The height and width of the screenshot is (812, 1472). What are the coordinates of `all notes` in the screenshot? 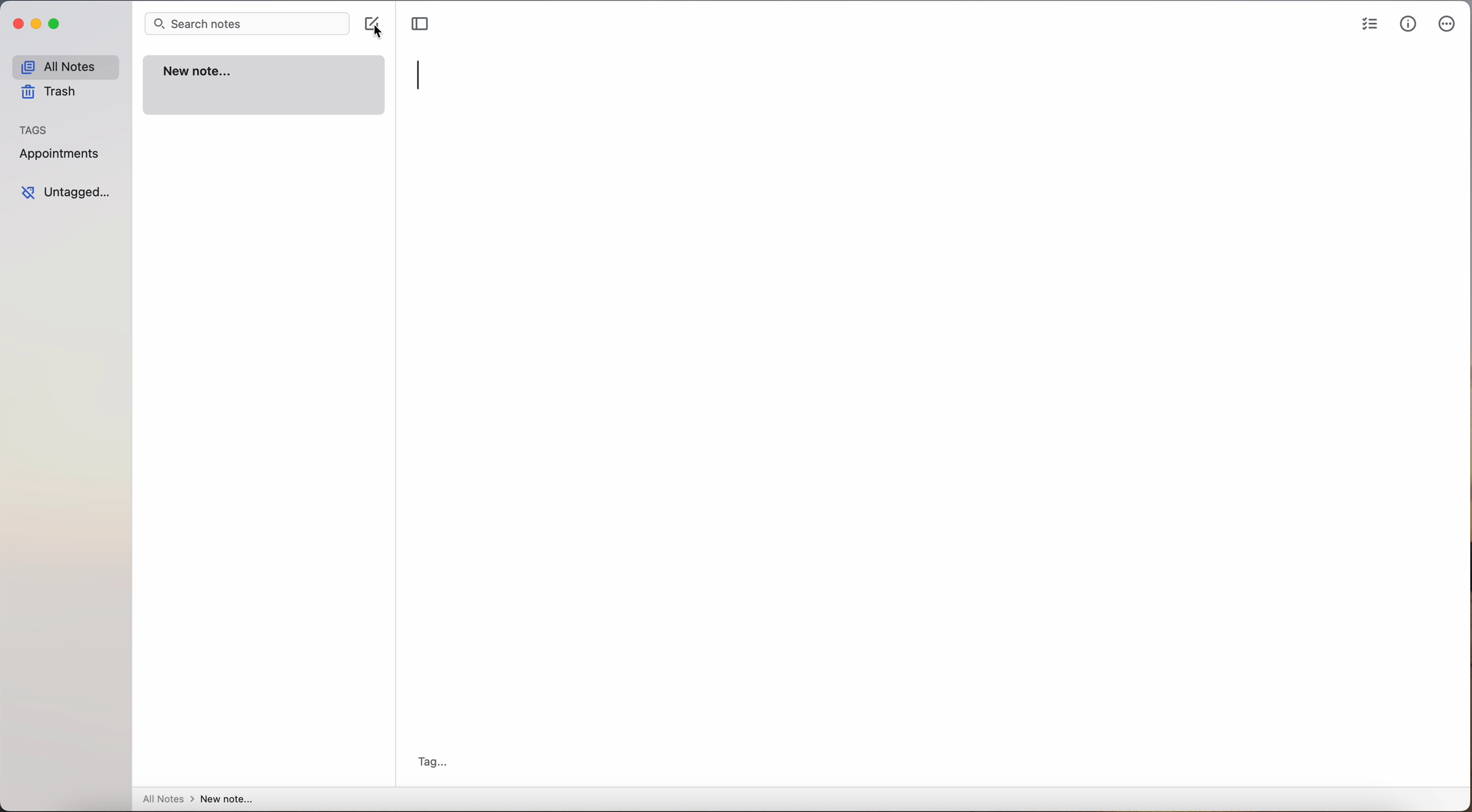 It's located at (67, 66).